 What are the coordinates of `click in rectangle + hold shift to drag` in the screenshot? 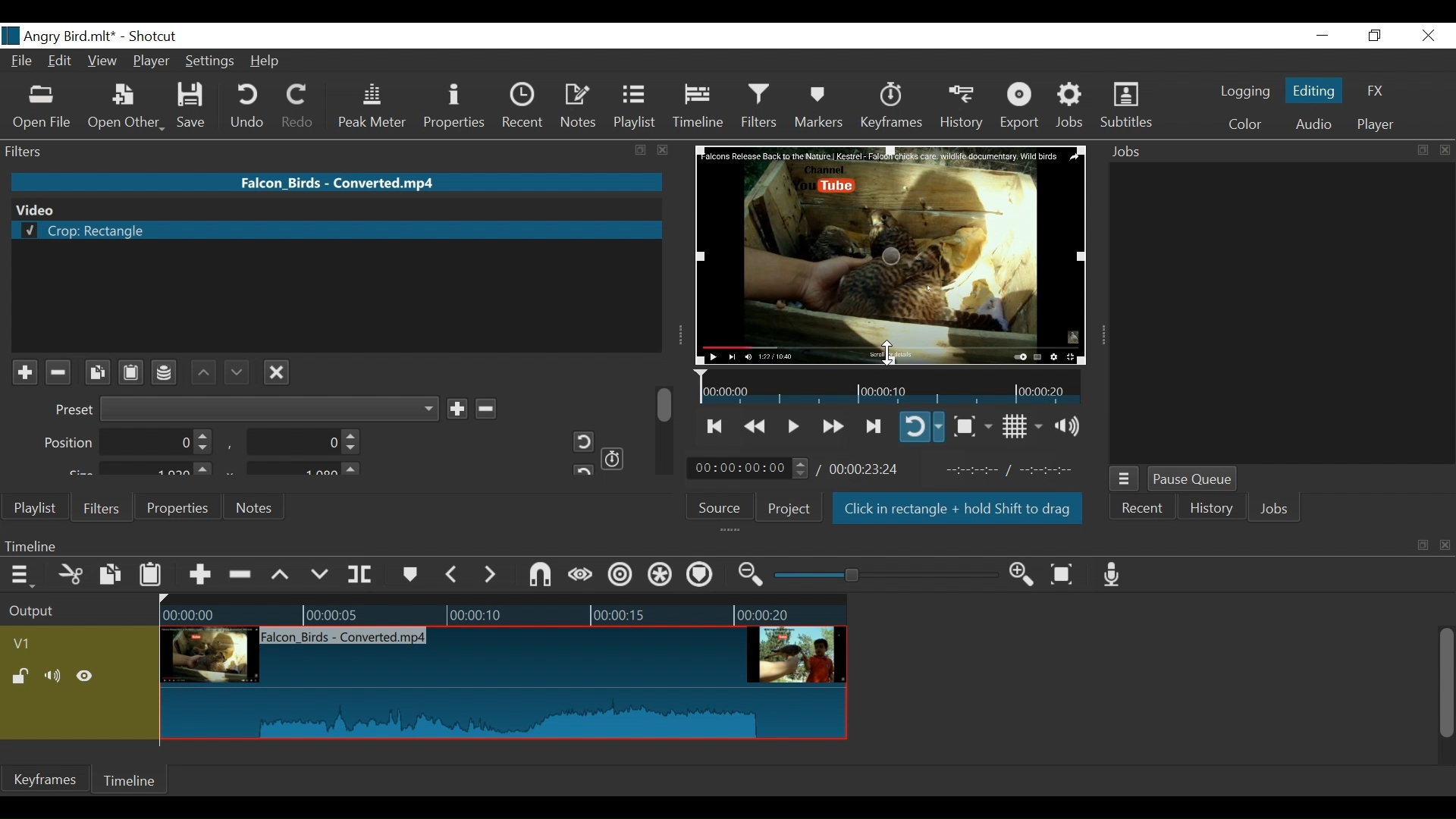 It's located at (959, 510).